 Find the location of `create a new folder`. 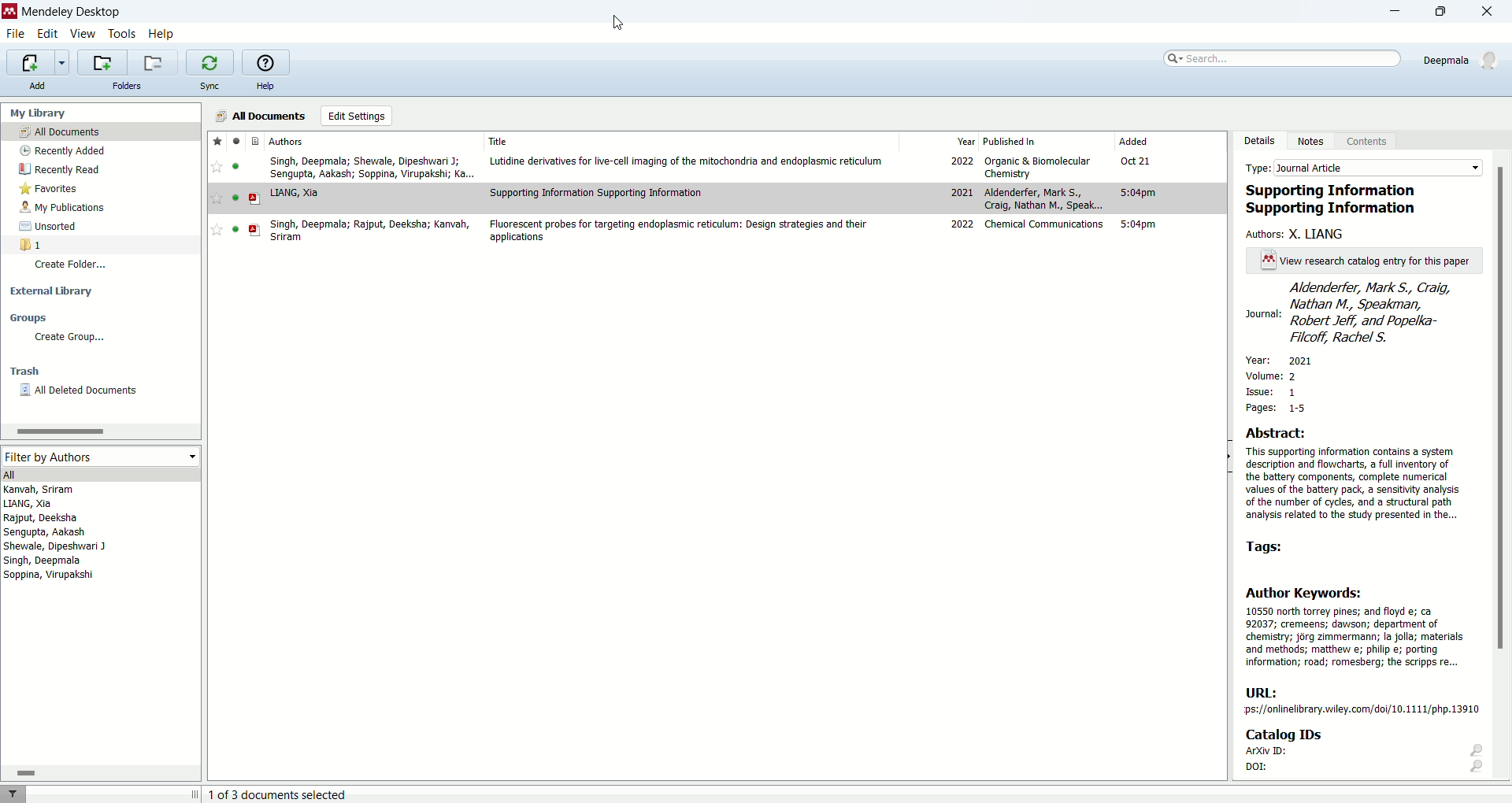

create a new folder is located at coordinates (102, 63).